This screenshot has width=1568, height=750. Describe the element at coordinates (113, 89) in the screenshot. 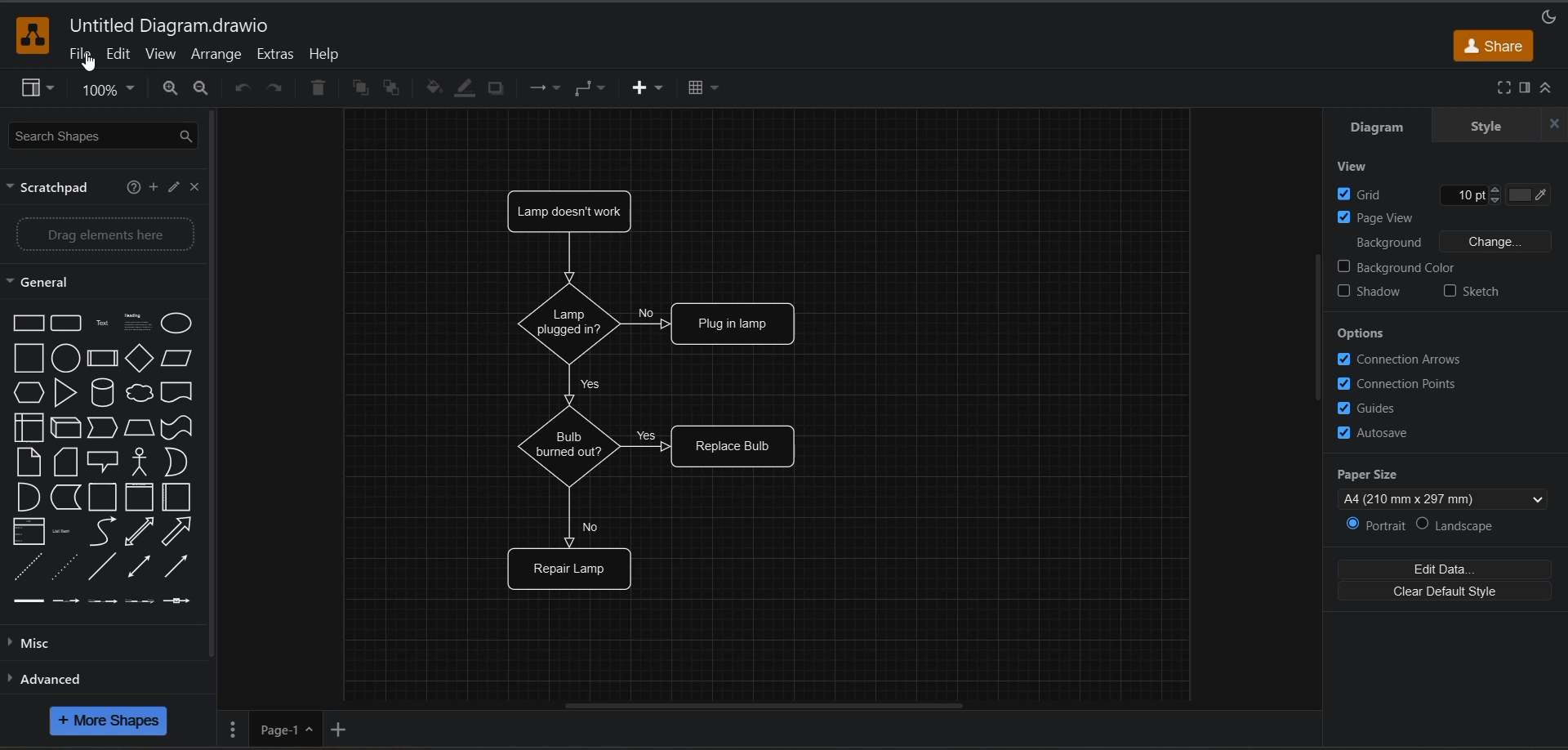

I see `zoom` at that location.